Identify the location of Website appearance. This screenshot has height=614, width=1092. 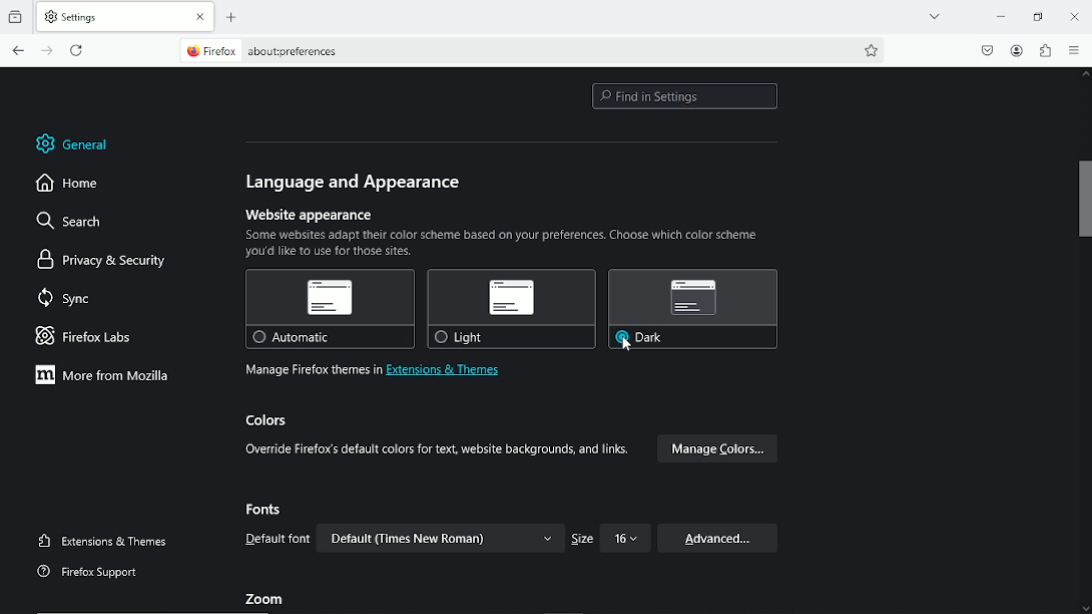
(311, 211).